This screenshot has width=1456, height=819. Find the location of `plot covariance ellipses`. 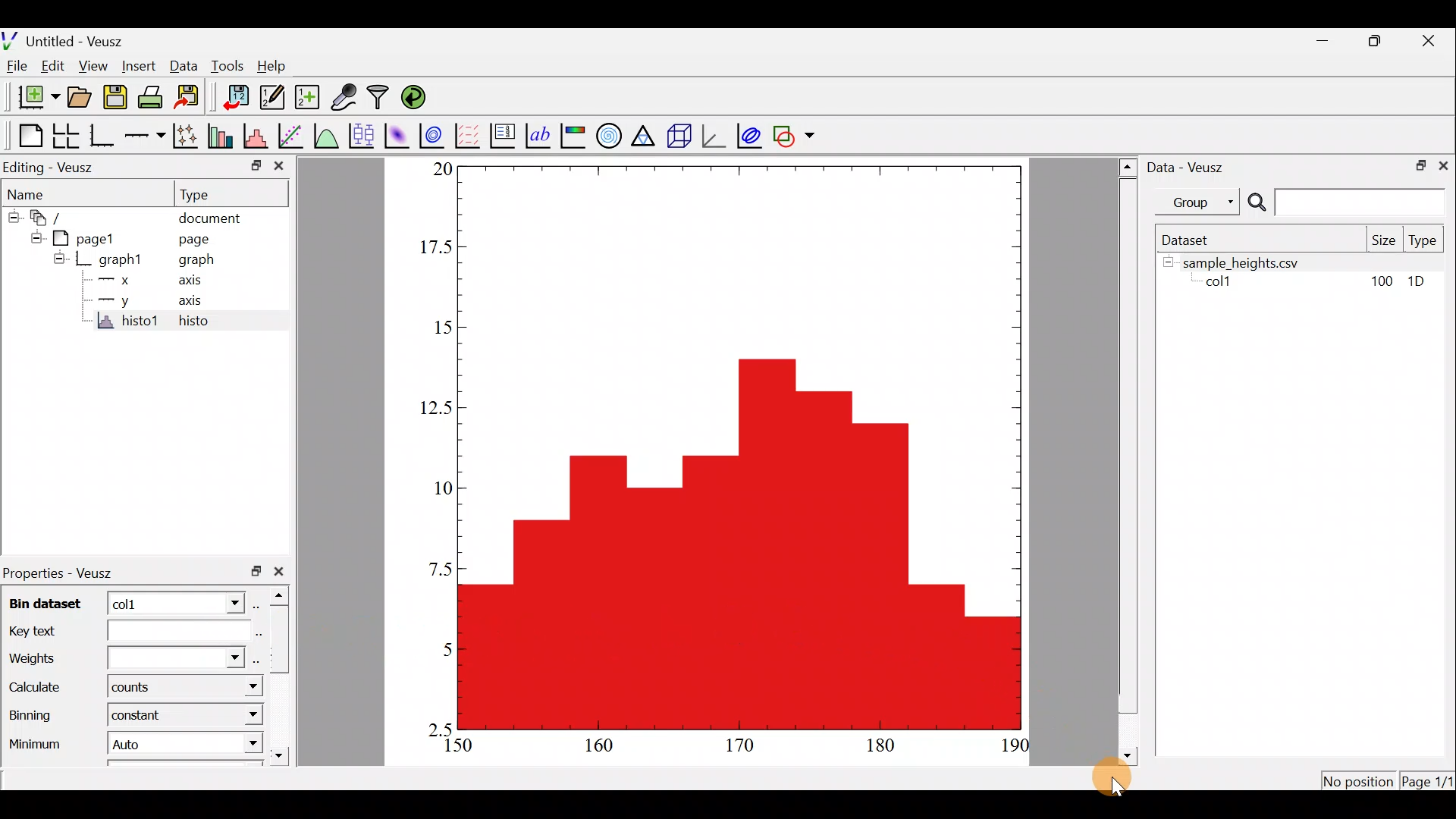

plot covariance ellipses is located at coordinates (749, 136).